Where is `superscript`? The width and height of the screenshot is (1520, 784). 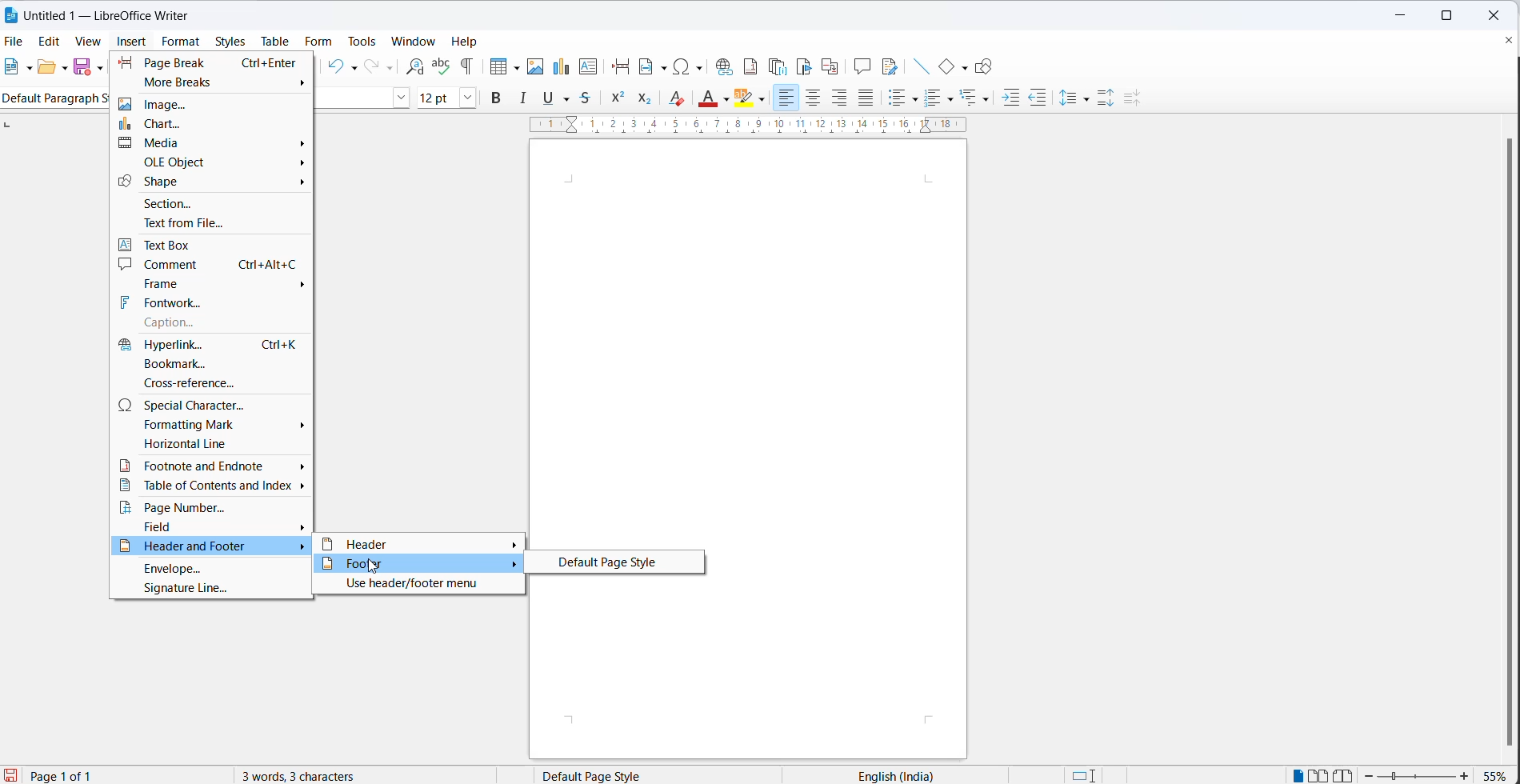
superscript is located at coordinates (619, 98).